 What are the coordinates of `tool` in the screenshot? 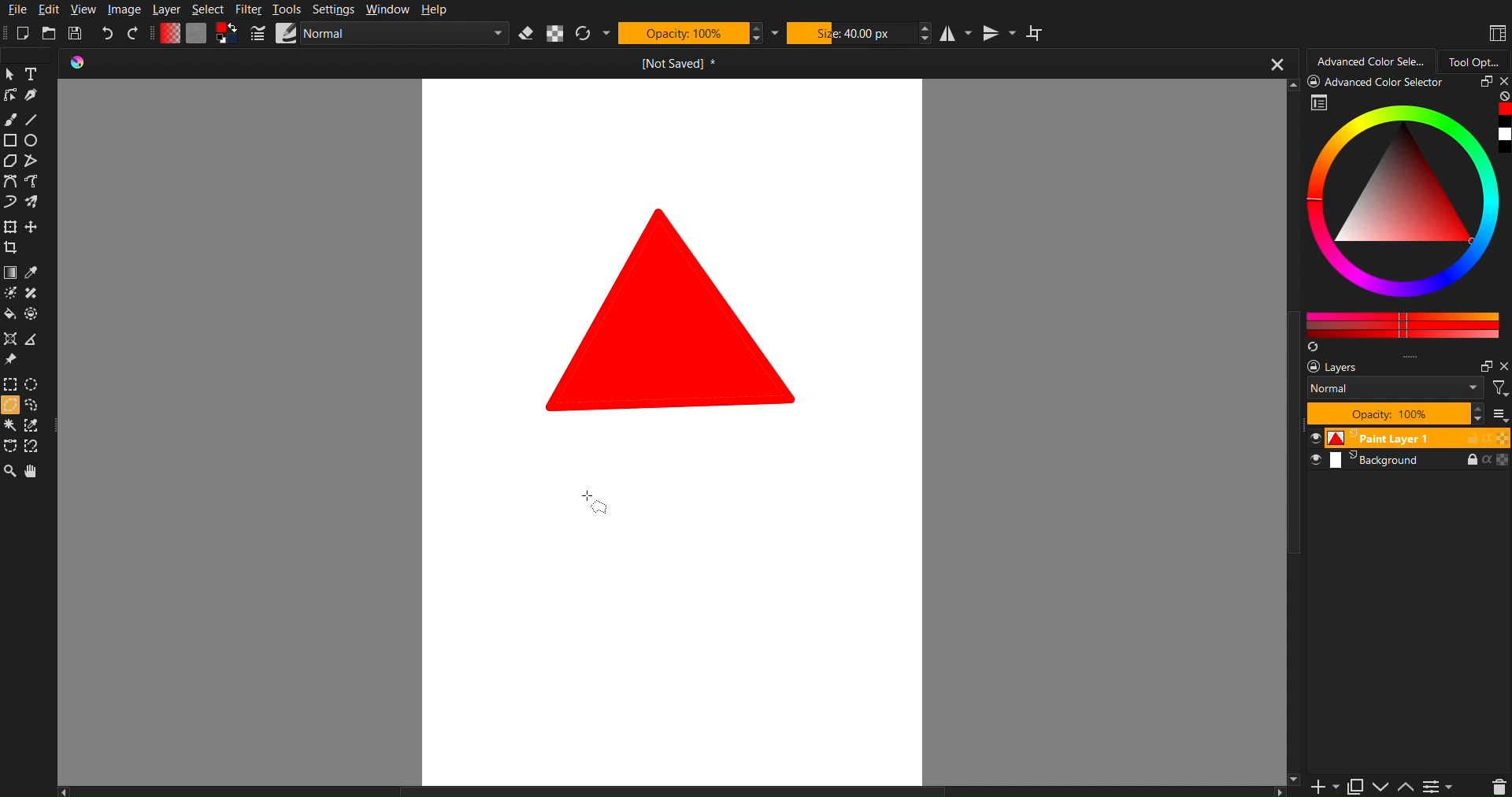 It's located at (34, 294).